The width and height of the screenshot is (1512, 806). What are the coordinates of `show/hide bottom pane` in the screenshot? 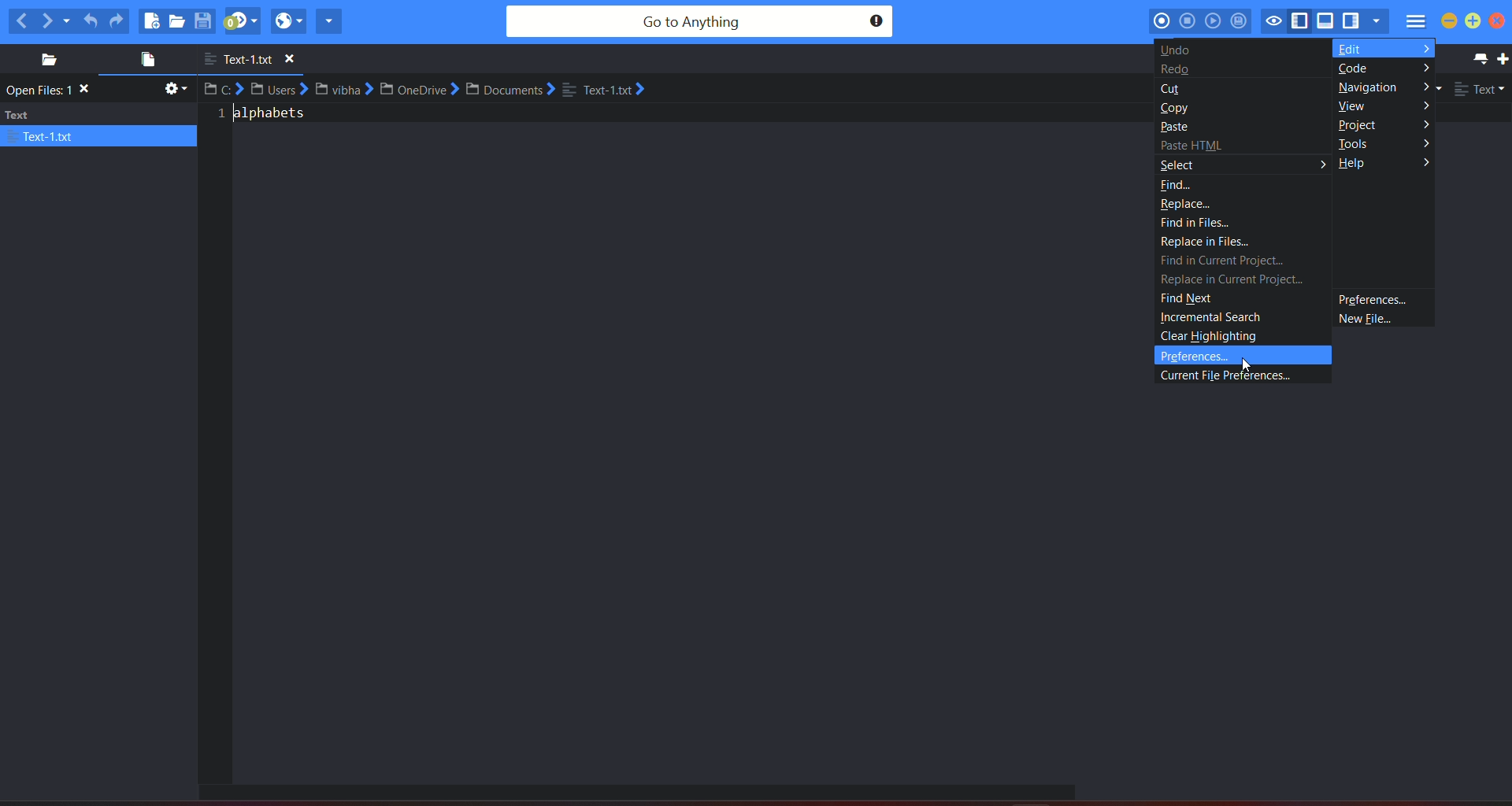 It's located at (1327, 23).